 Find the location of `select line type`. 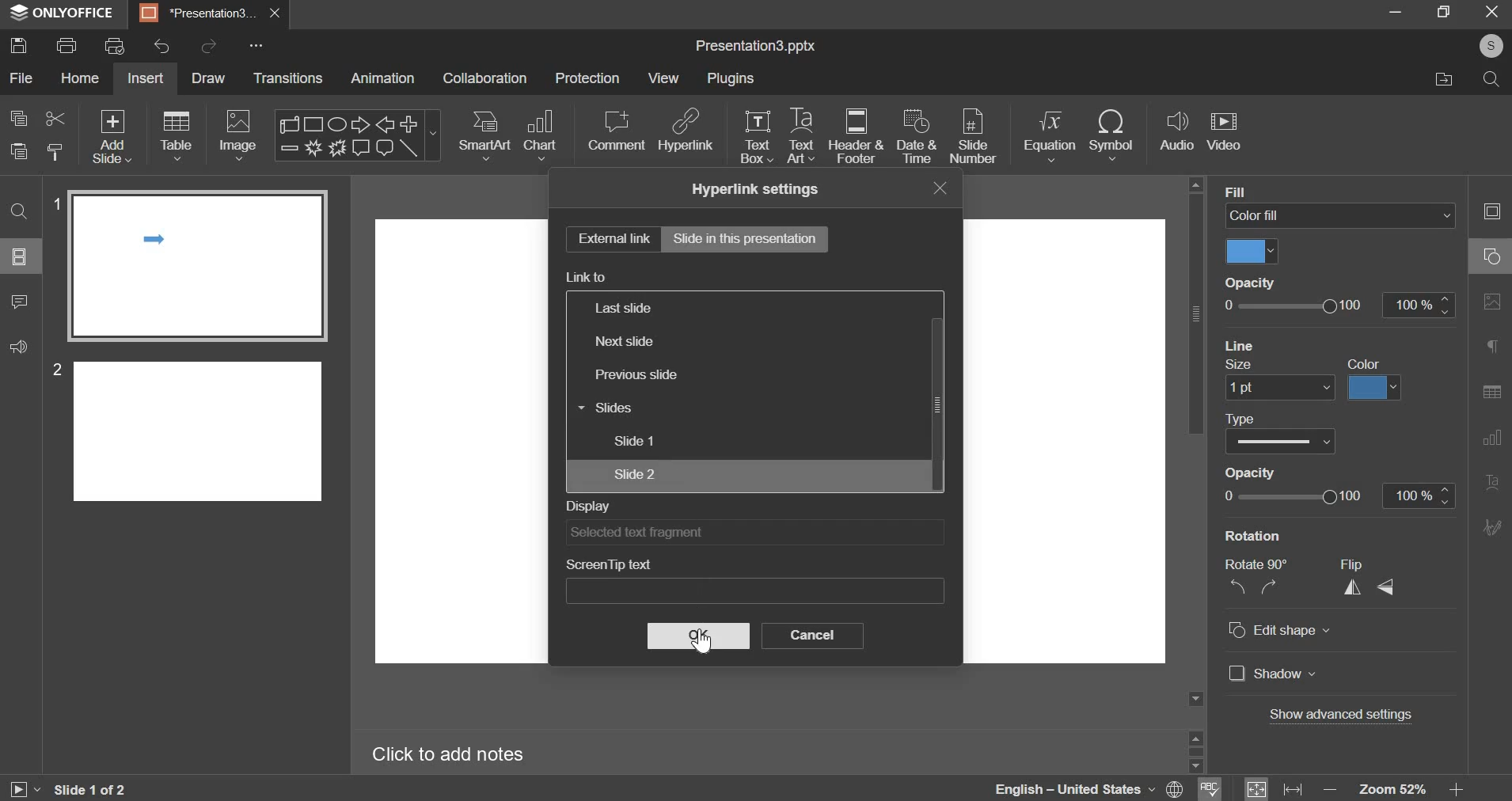

select line type is located at coordinates (1280, 441).